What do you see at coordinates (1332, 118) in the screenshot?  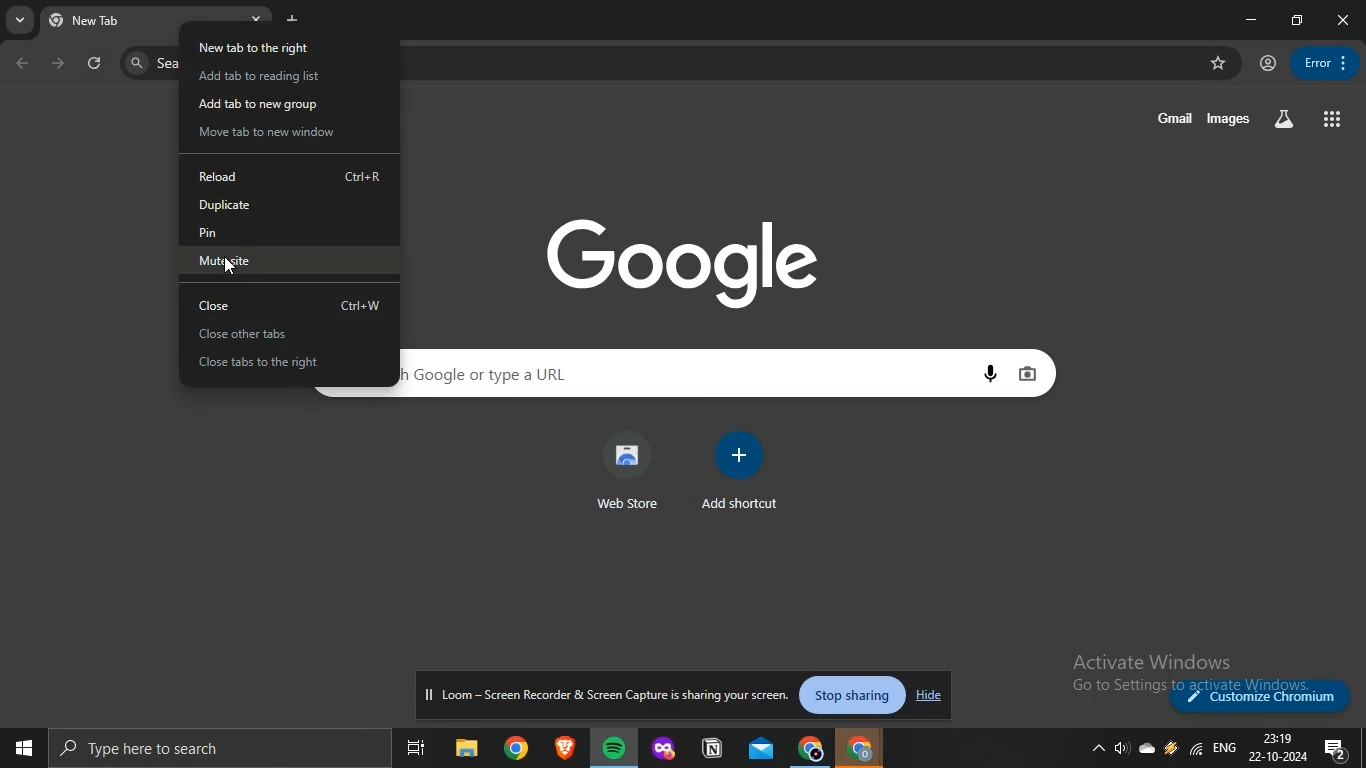 I see `google apps` at bounding box center [1332, 118].